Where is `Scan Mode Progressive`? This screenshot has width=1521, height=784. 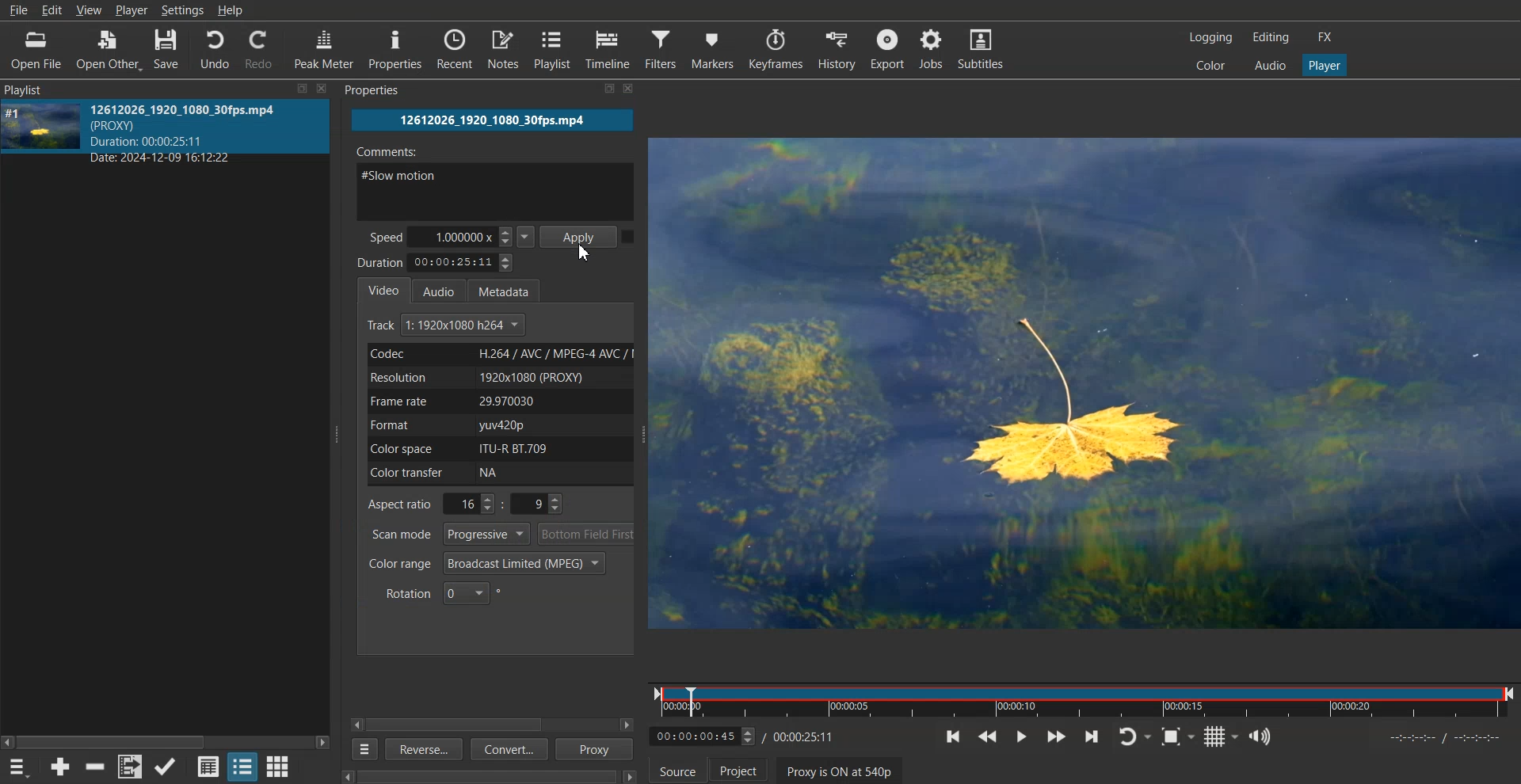
Scan Mode Progressive is located at coordinates (448, 534).